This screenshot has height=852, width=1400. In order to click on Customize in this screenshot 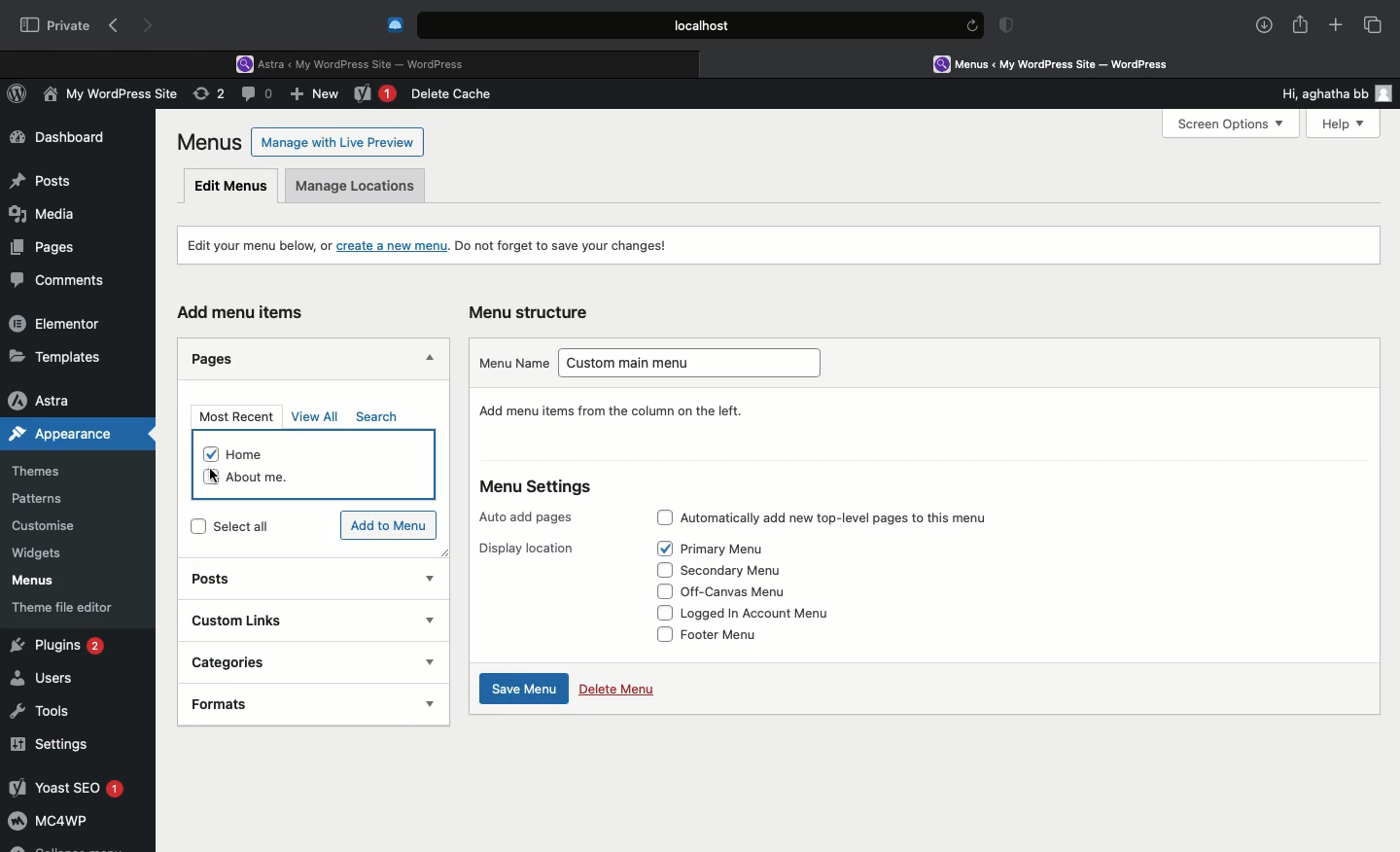, I will do `click(47, 529)`.